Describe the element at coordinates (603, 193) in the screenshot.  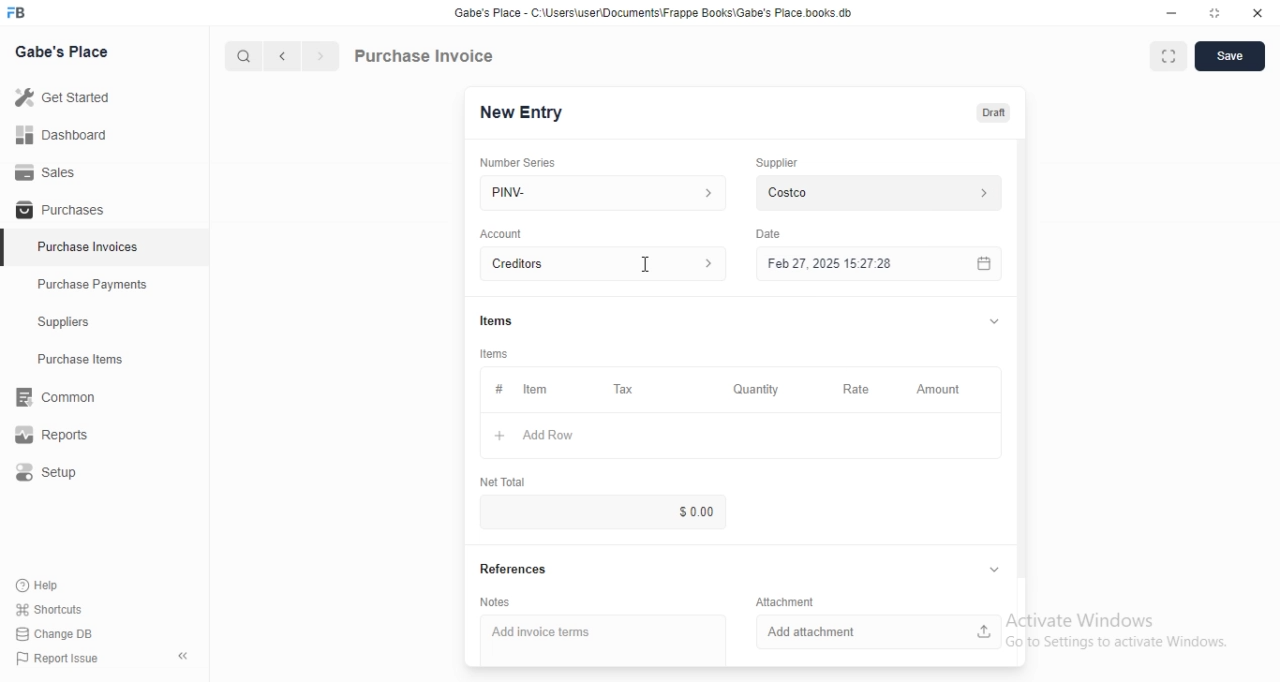
I see `PINV-` at that location.